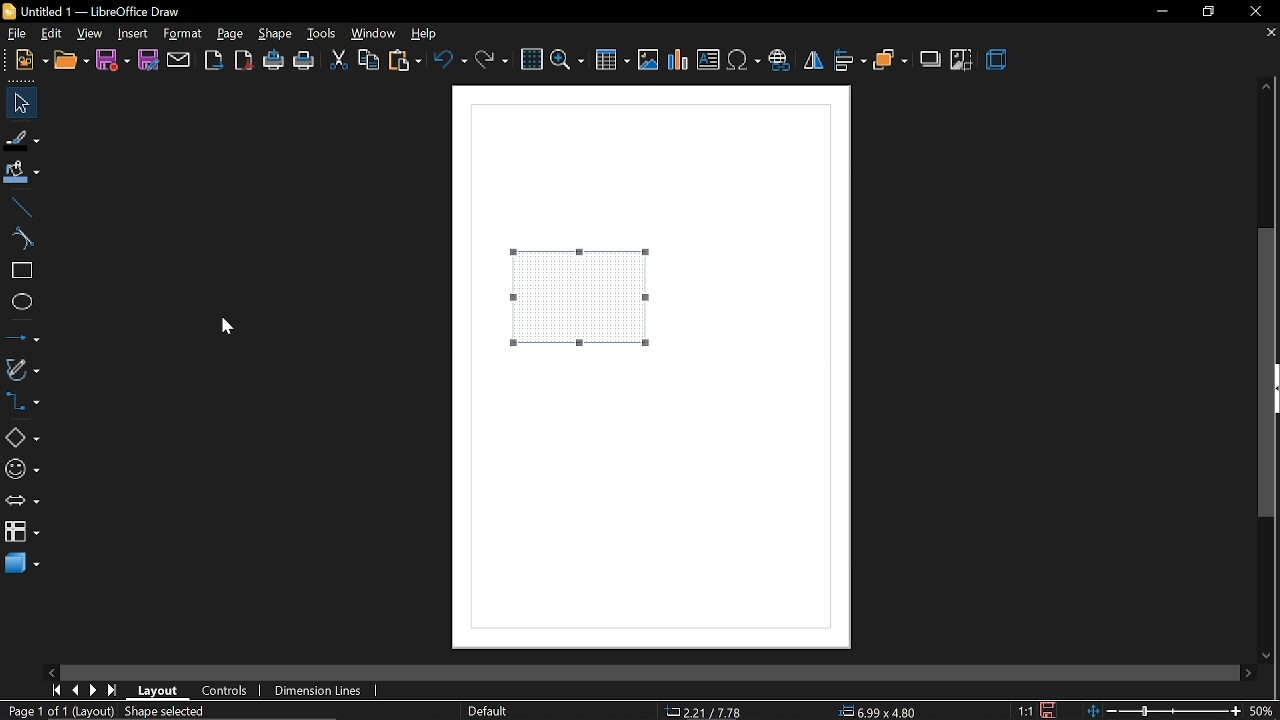 Image resolution: width=1280 pixels, height=720 pixels. I want to click on symbol shapes, so click(22, 469).